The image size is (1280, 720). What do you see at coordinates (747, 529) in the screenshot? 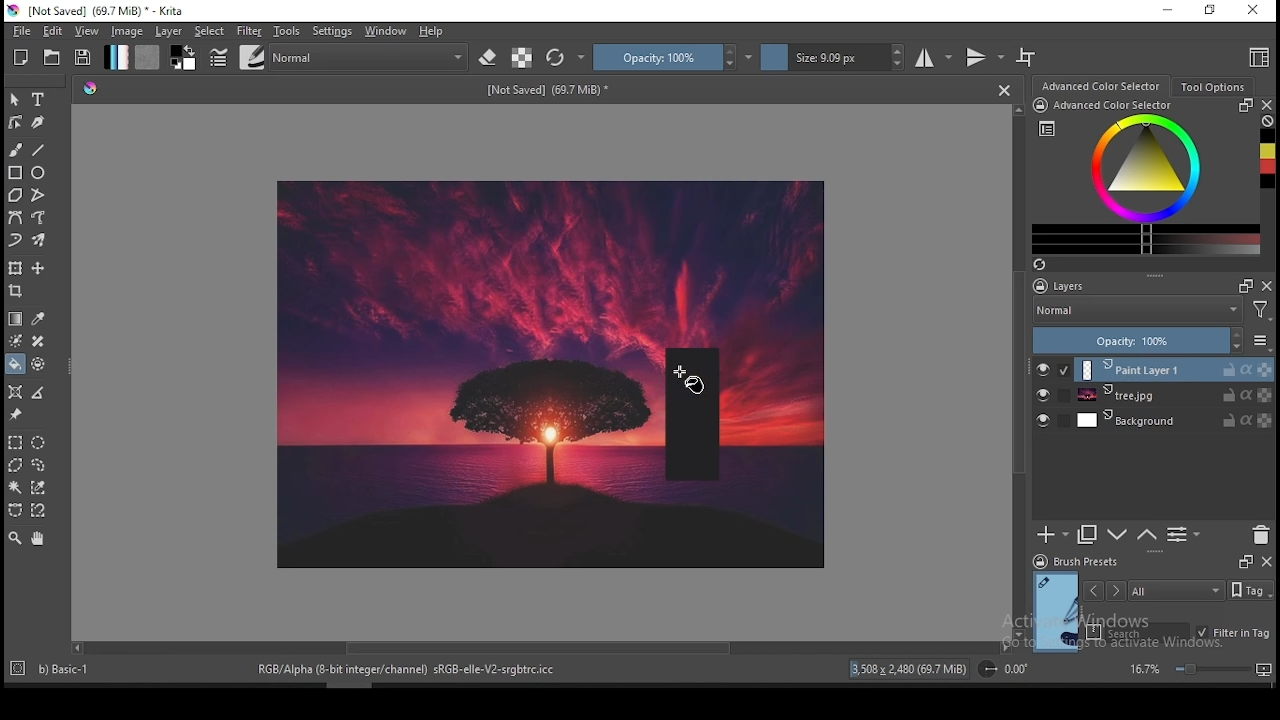
I see `image` at bounding box center [747, 529].